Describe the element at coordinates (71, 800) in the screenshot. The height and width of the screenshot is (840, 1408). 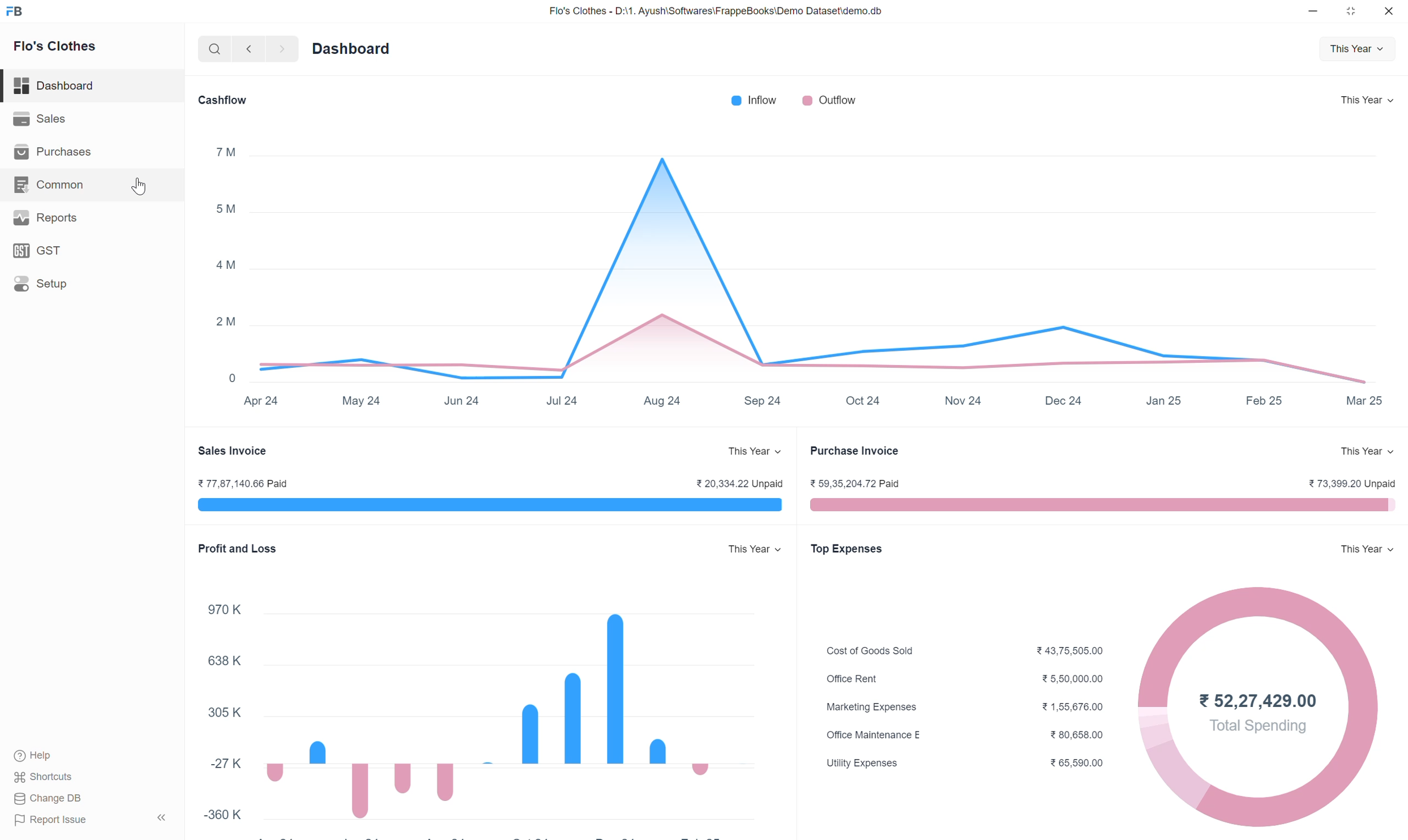
I see `Change DB` at that location.